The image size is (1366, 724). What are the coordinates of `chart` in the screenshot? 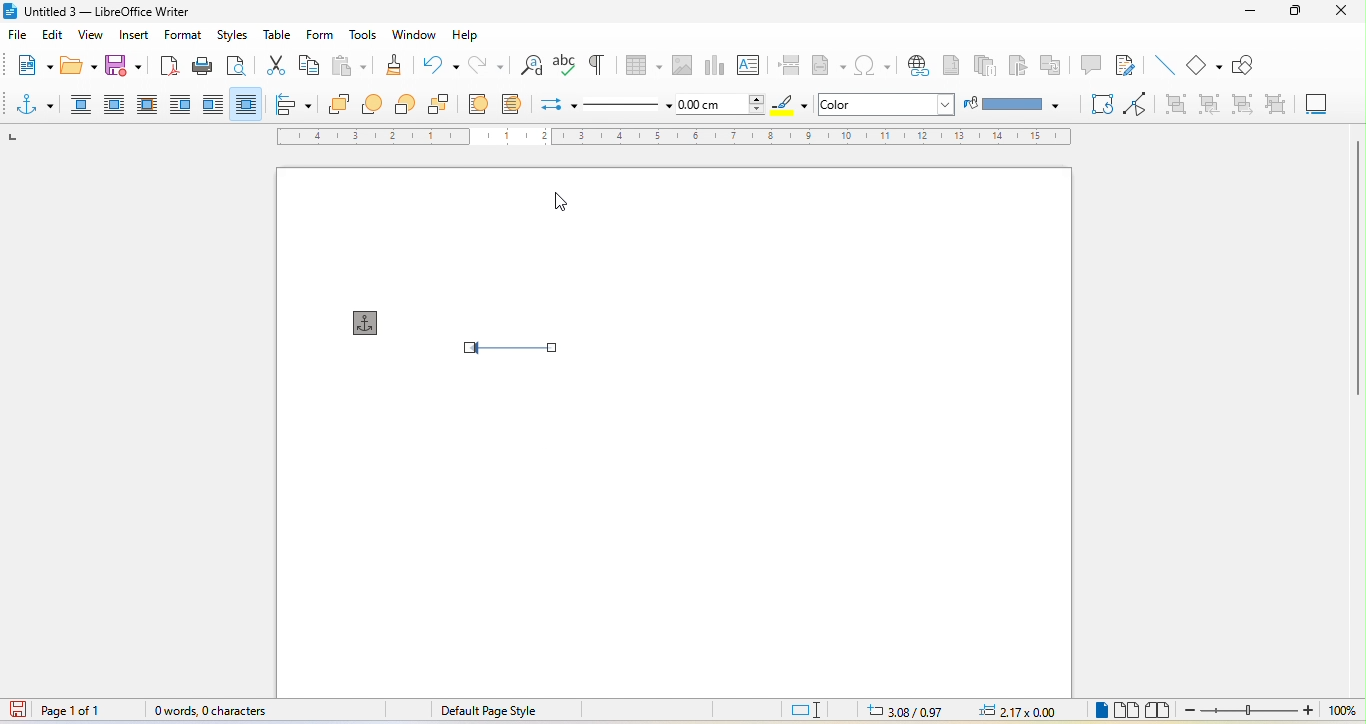 It's located at (714, 64).